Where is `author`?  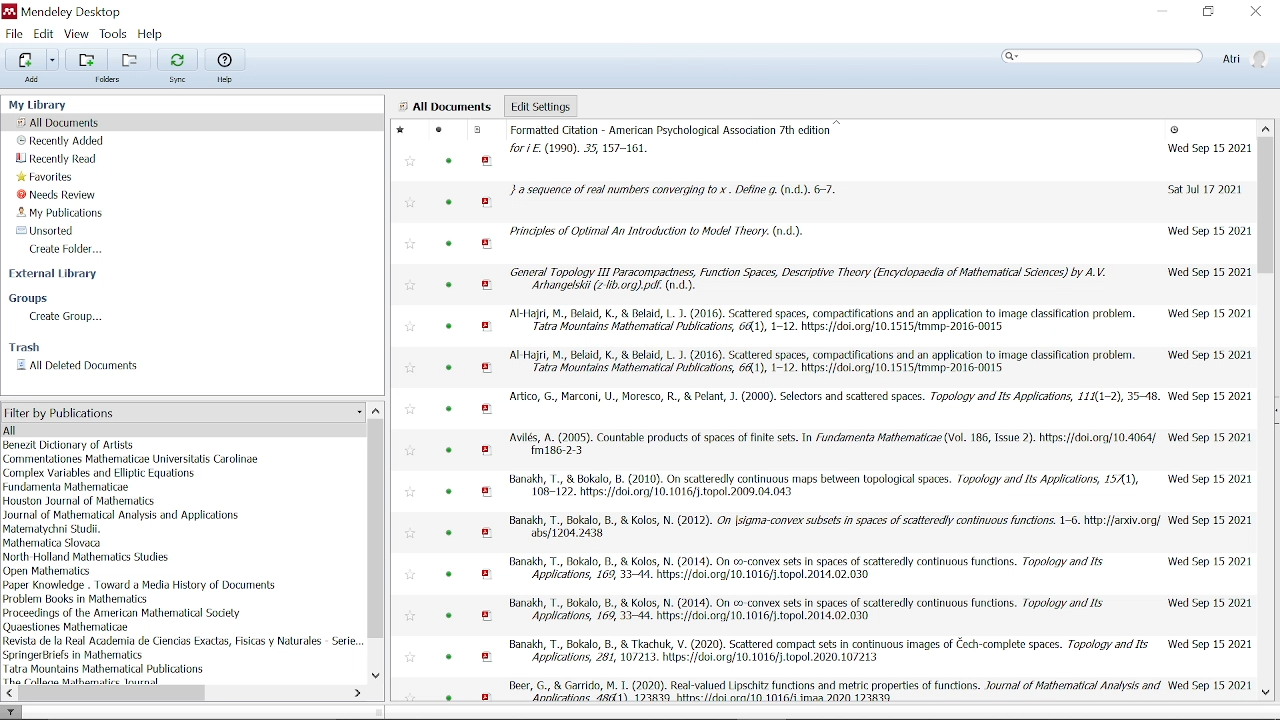
author is located at coordinates (54, 542).